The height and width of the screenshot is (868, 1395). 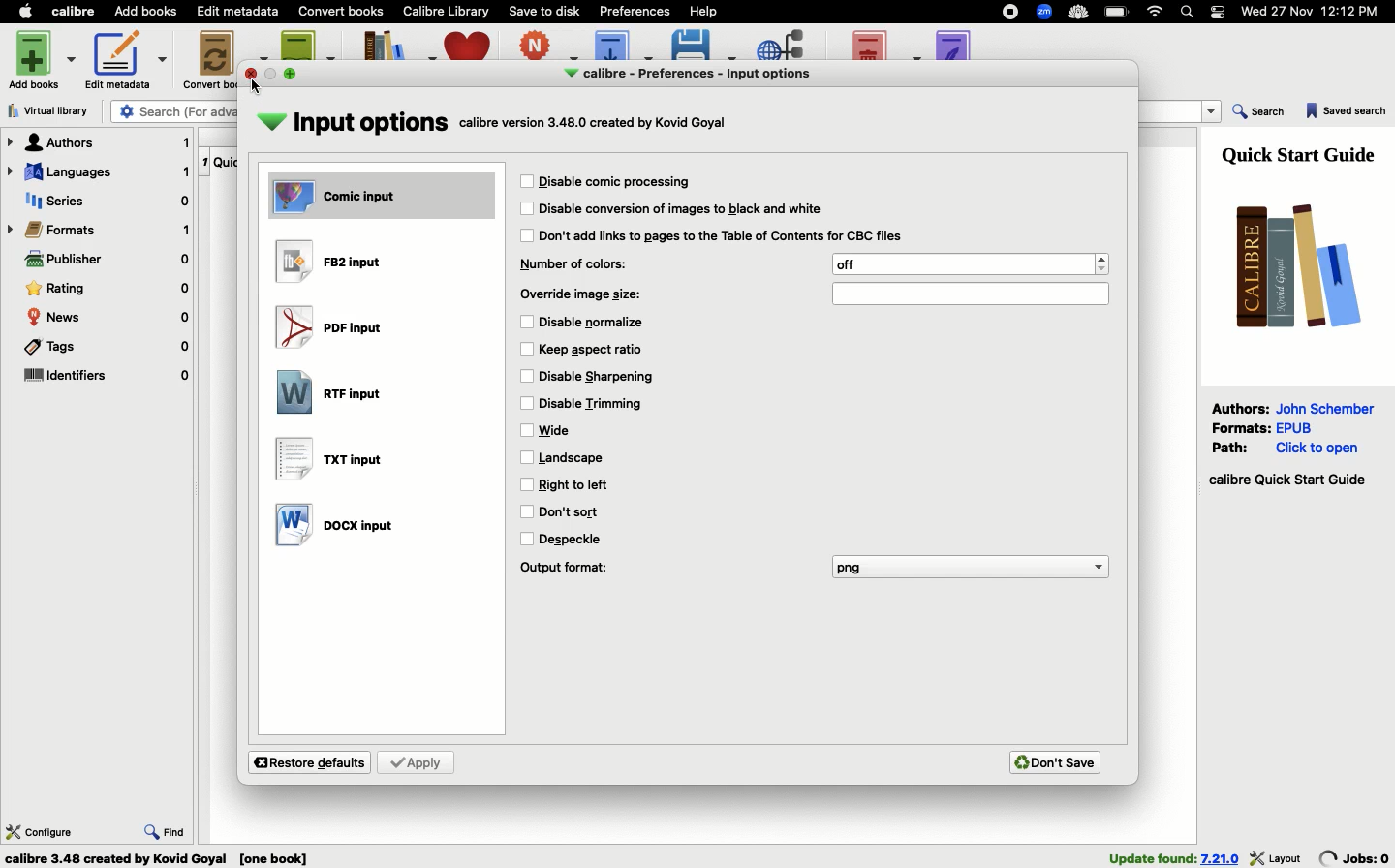 I want to click on Input options, so click(x=354, y=124).